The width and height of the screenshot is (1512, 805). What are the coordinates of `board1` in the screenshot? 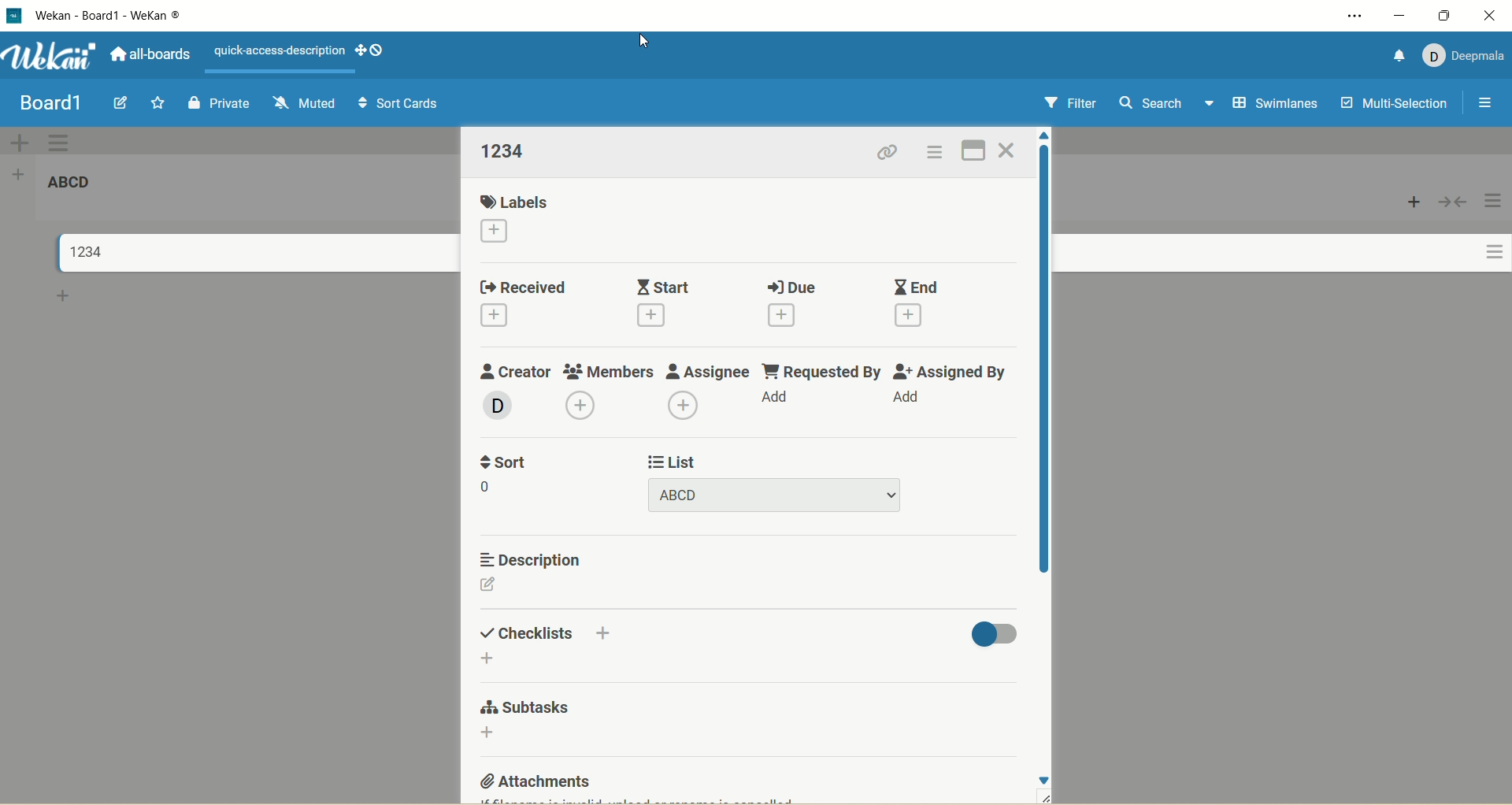 It's located at (54, 106).